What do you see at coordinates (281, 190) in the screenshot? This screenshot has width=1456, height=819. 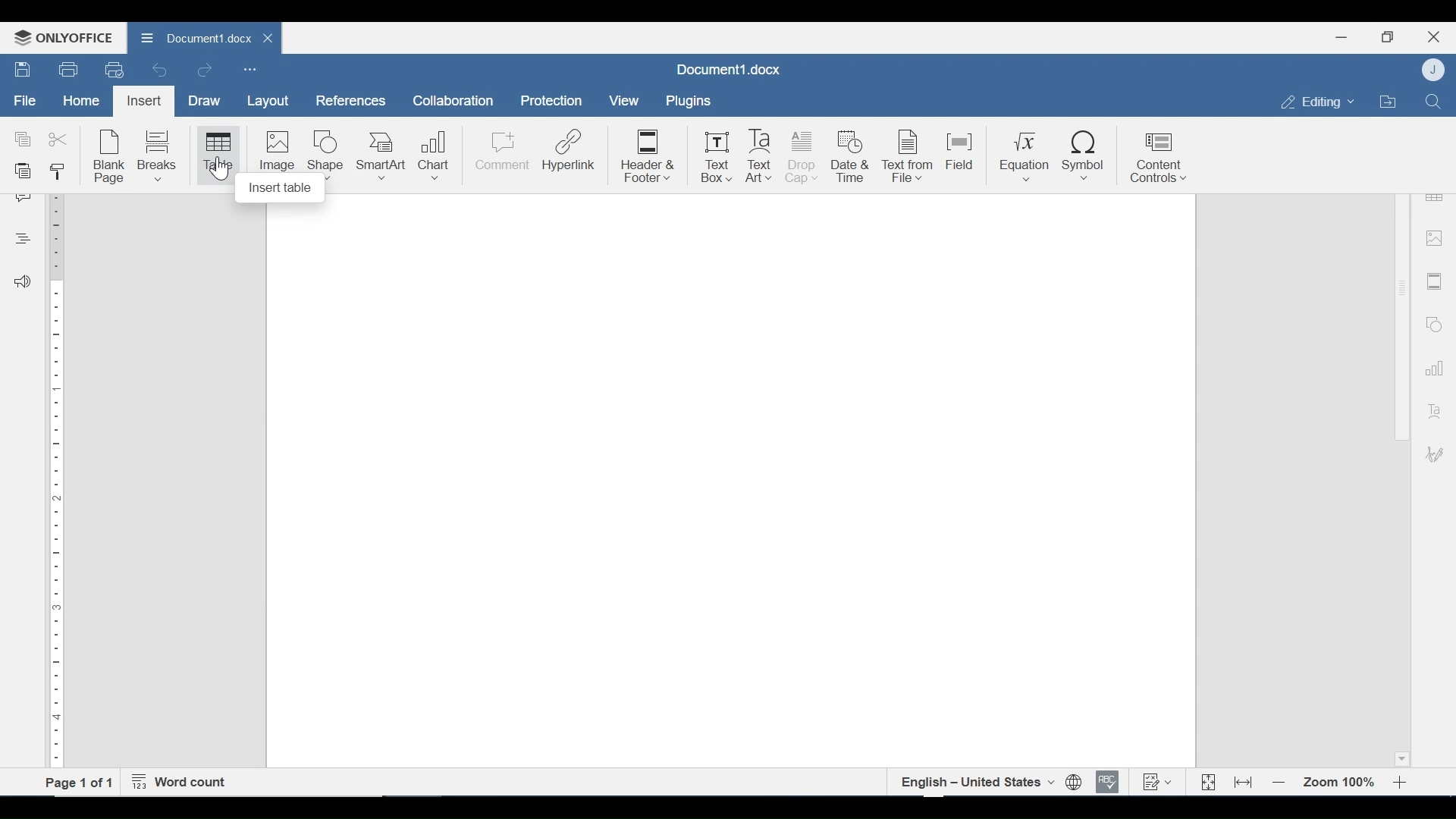 I see `insert table` at bounding box center [281, 190].